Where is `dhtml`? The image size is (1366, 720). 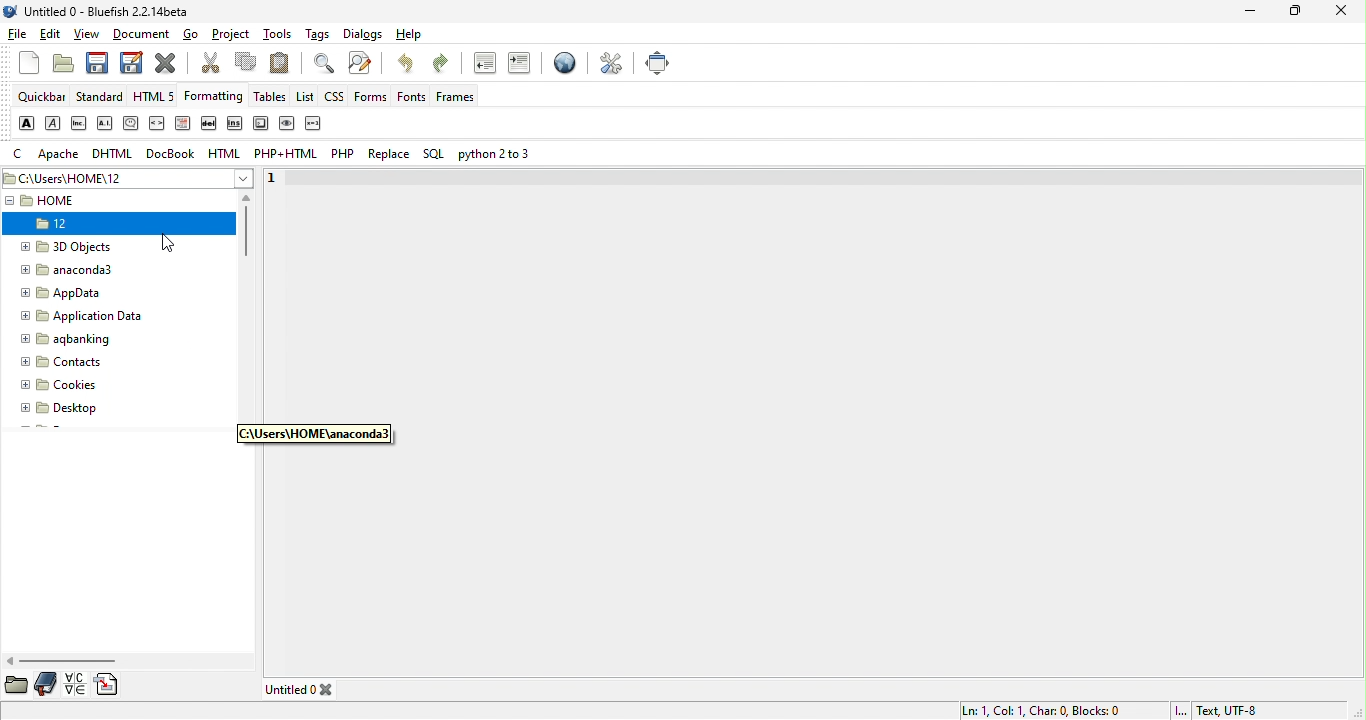 dhtml is located at coordinates (114, 154).